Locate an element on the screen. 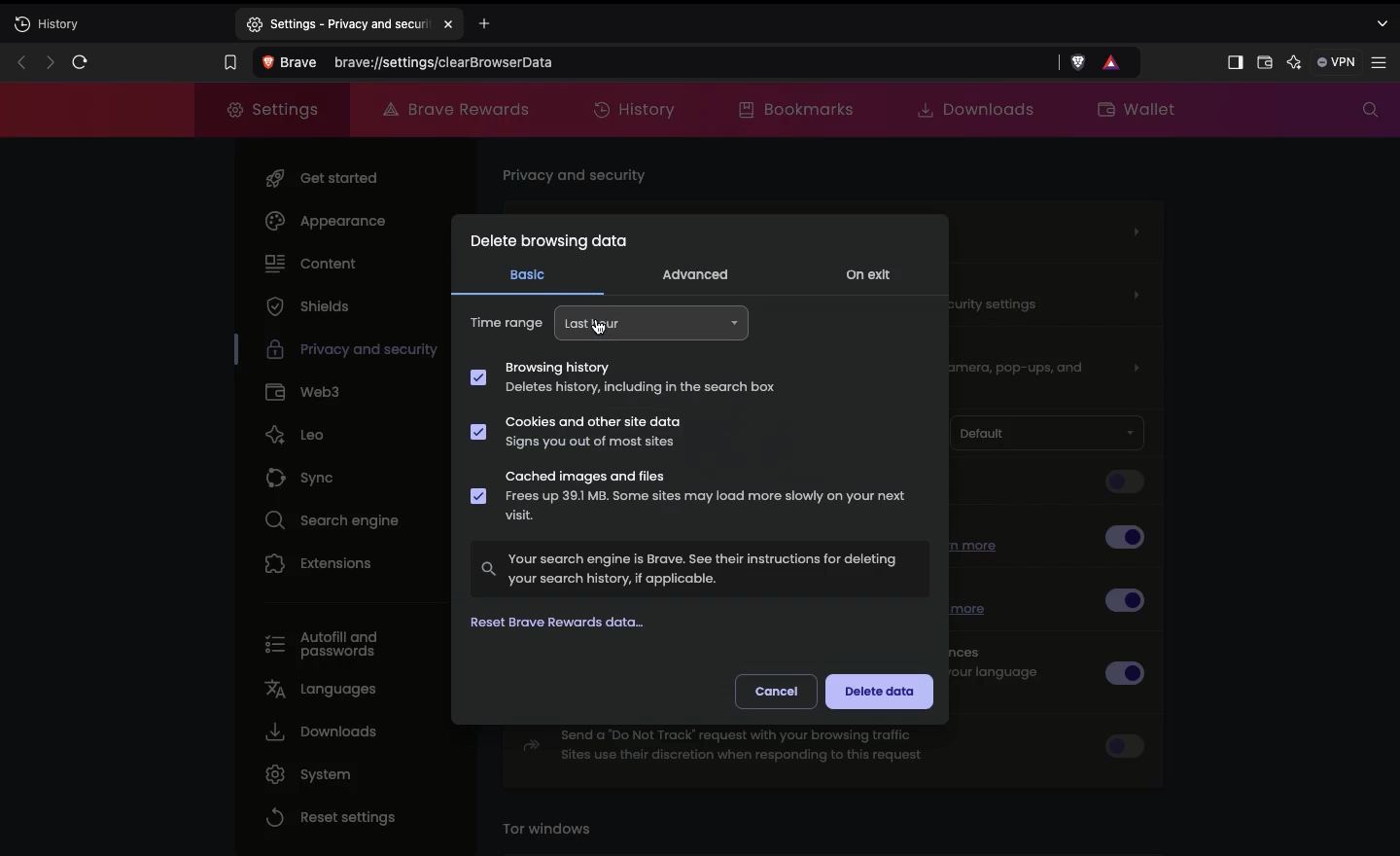 The width and height of the screenshot is (1400, 856). Bookmarks is located at coordinates (801, 109).